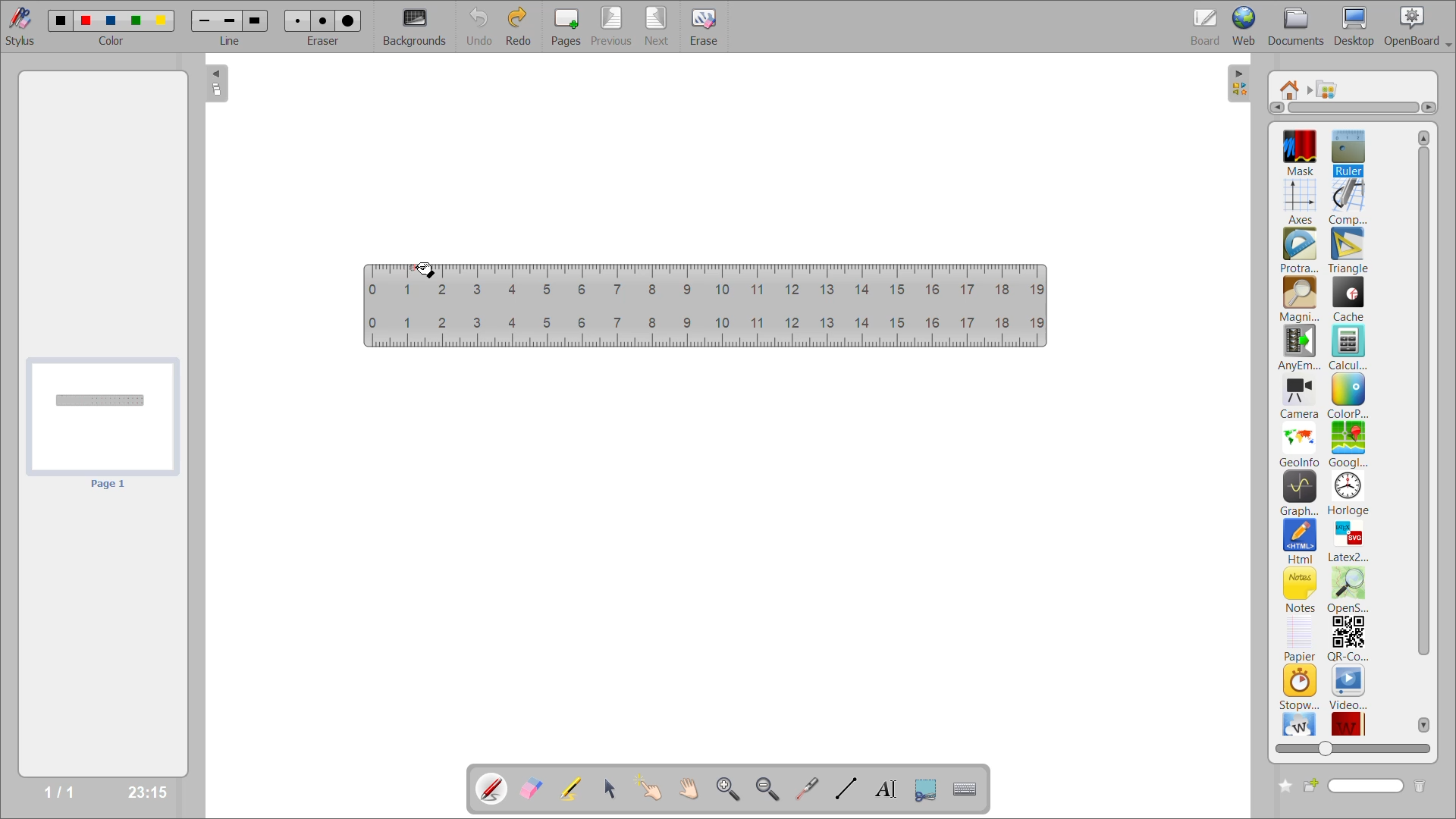 The width and height of the screenshot is (1456, 819). What do you see at coordinates (64, 792) in the screenshot?
I see `1/1` at bounding box center [64, 792].